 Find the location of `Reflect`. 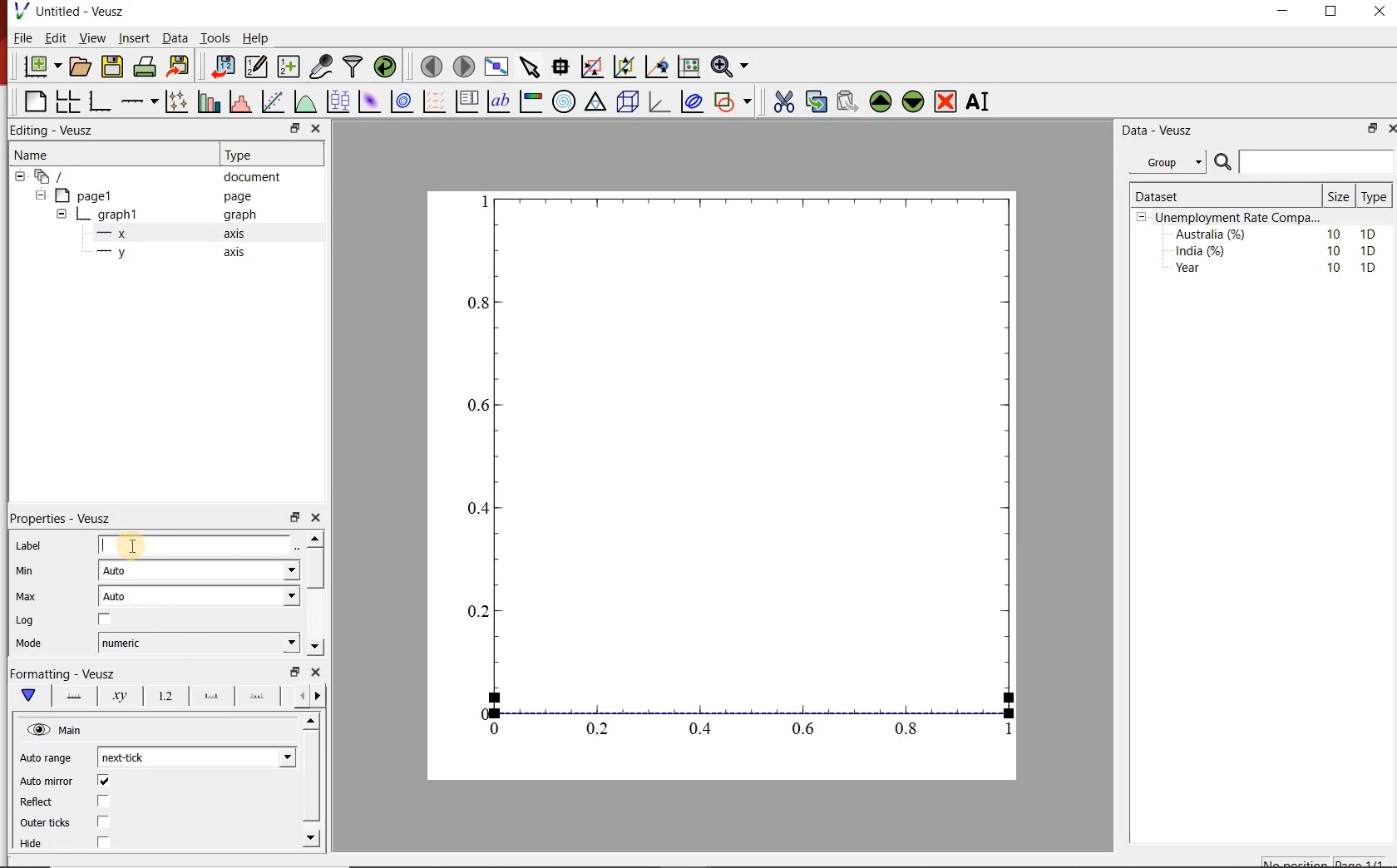

Reflect is located at coordinates (37, 803).